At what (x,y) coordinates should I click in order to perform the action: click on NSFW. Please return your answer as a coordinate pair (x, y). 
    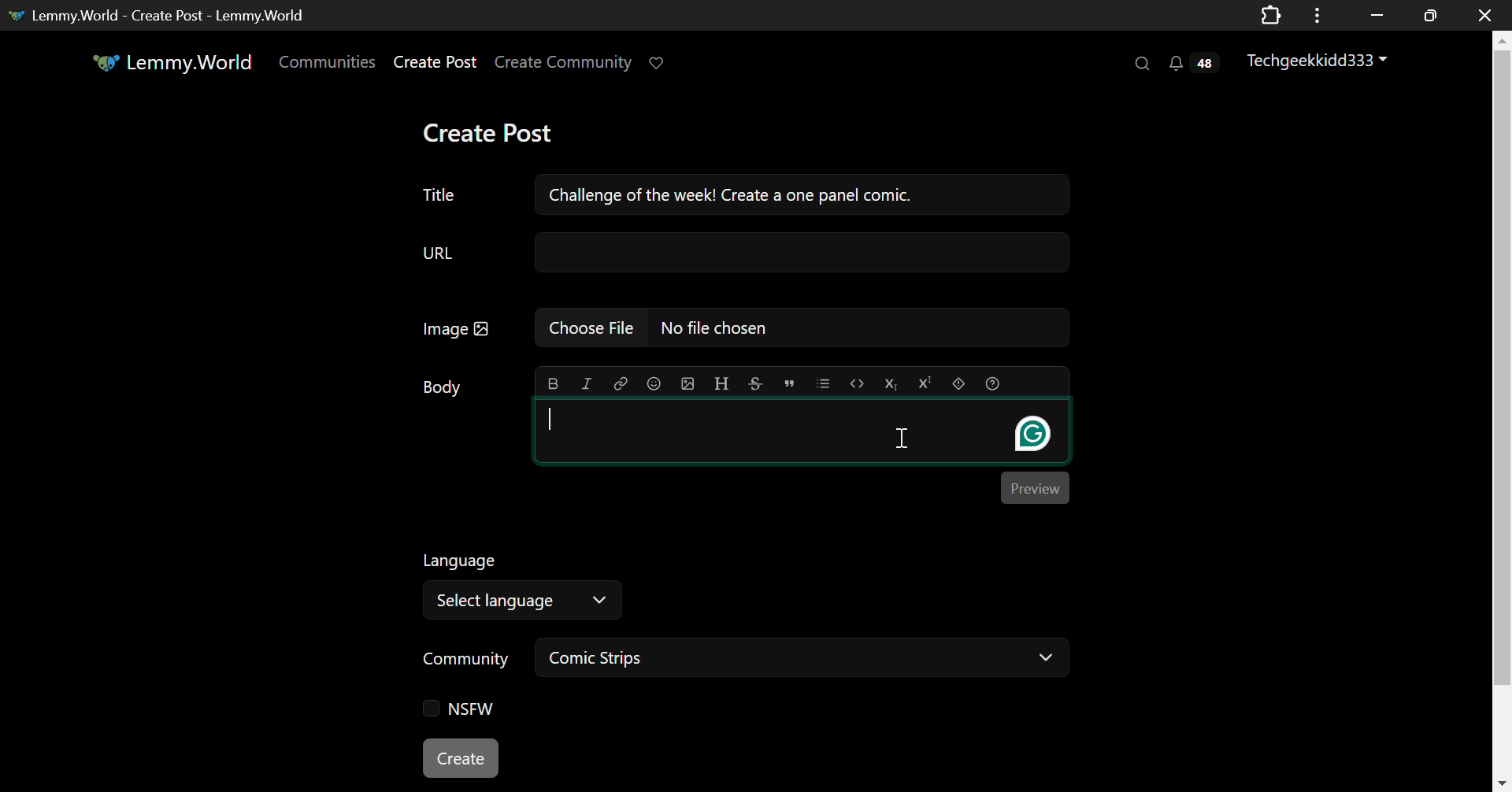
    Looking at the image, I should click on (461, 710).